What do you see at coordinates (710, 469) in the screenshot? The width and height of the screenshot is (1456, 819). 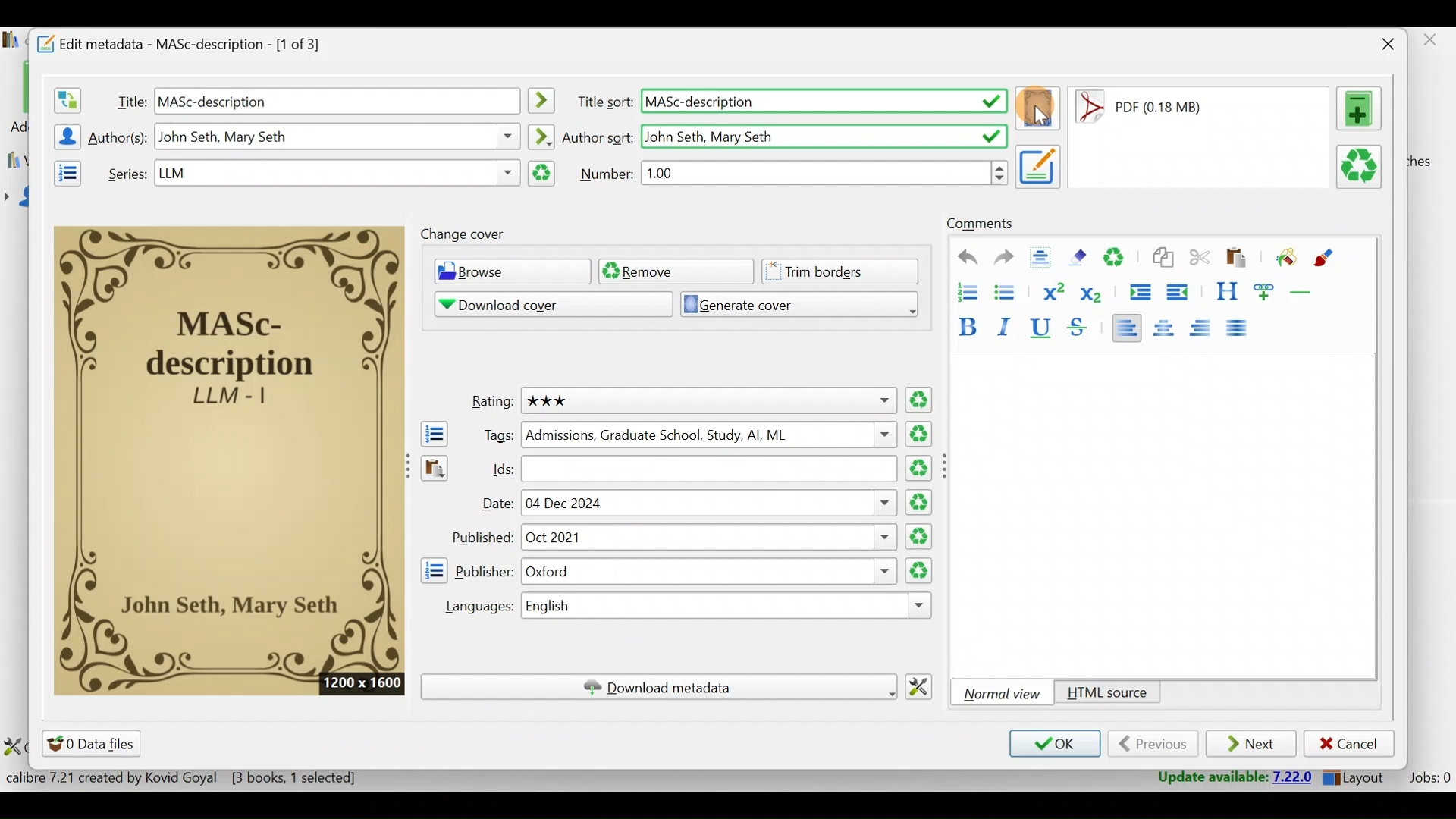 I see `` at bounding box center [710, 469].